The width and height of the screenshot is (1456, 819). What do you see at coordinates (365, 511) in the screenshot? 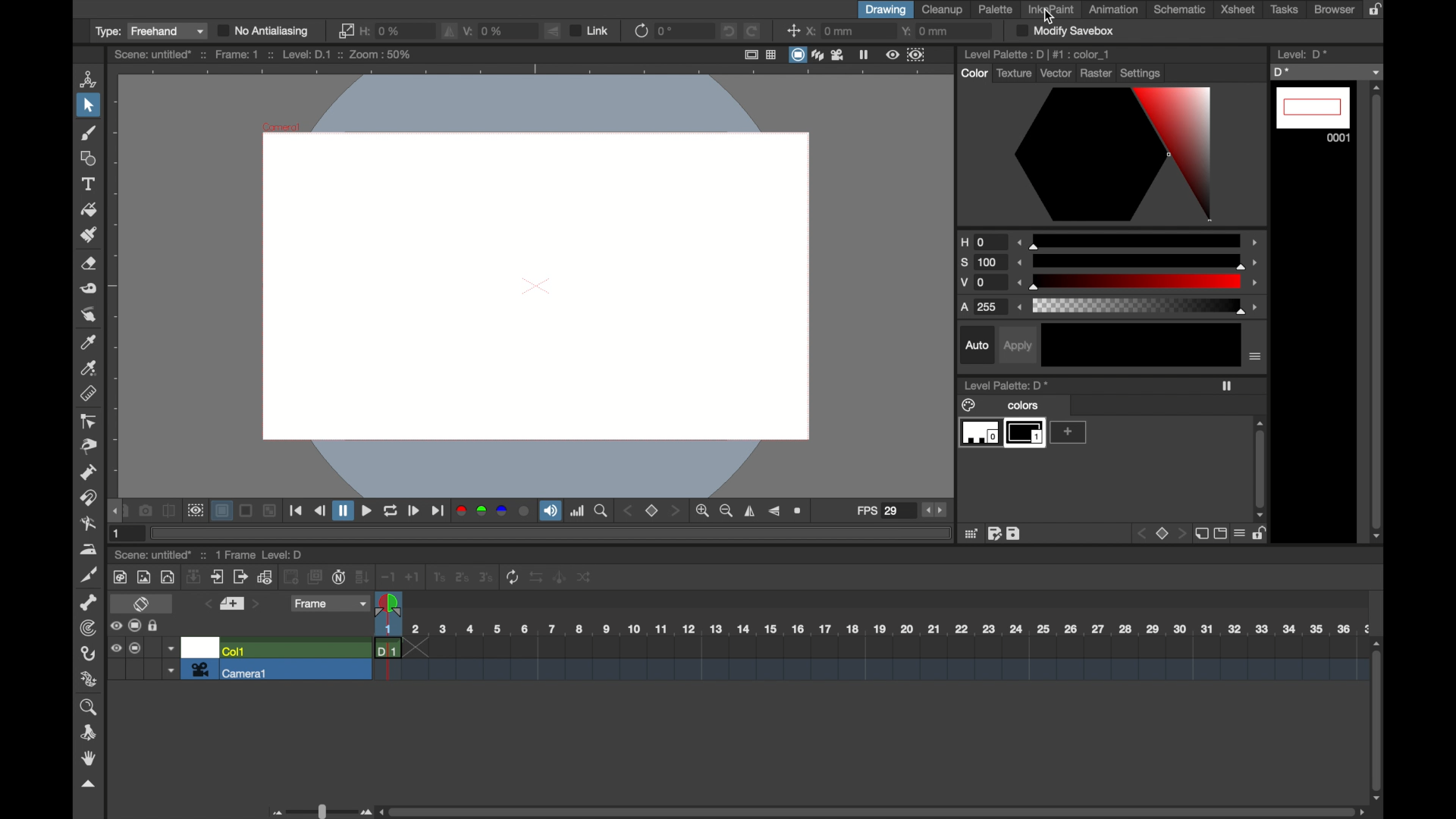
I see `play` at bounding box center [365, 511].